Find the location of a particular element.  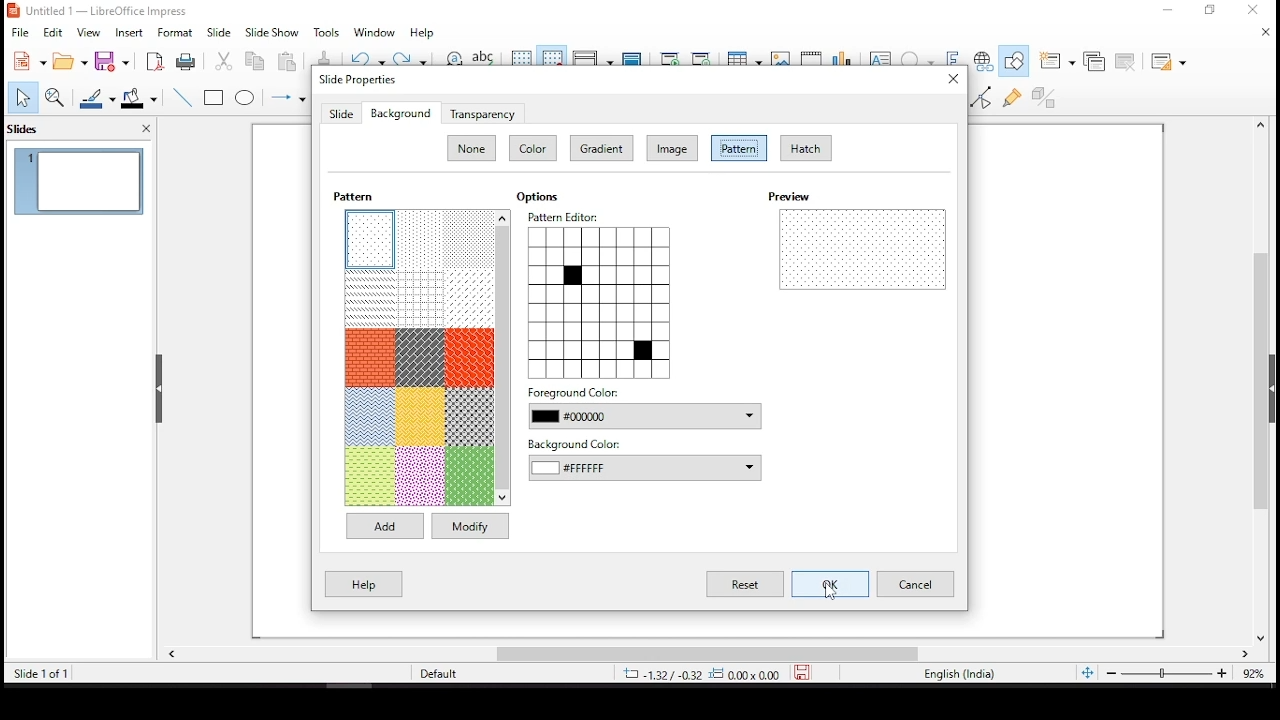

slides is located at coordinates (27, 130).